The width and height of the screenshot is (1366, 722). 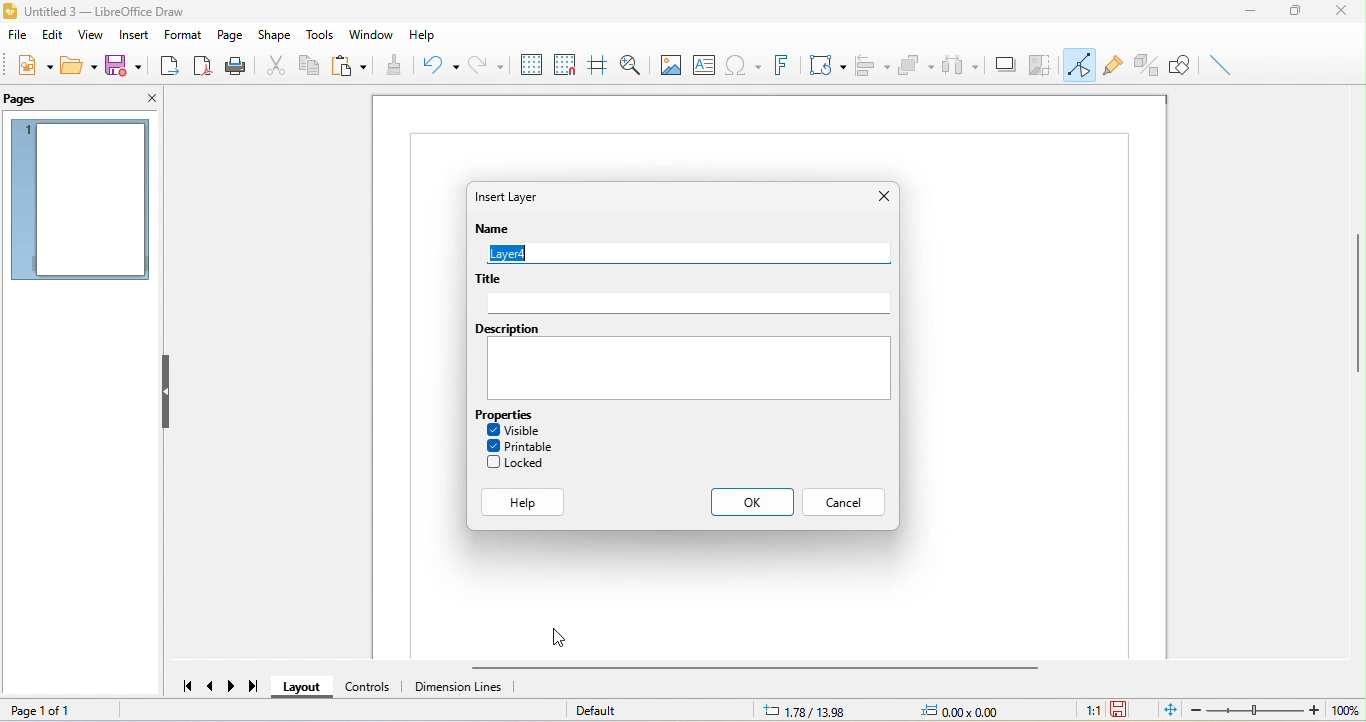 I want to click on pages, so click(x=33, y=101).